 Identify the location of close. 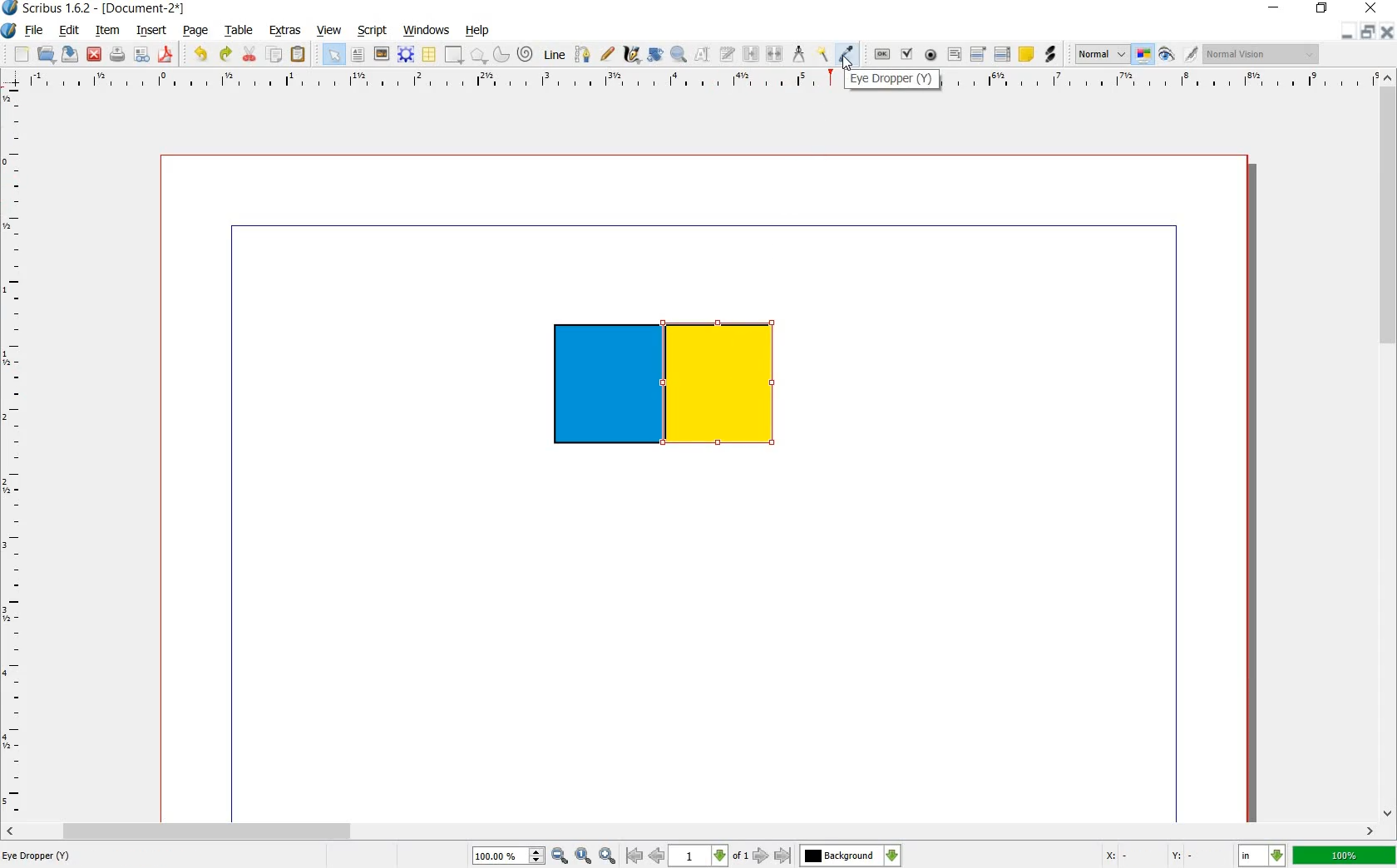
(94, 54).